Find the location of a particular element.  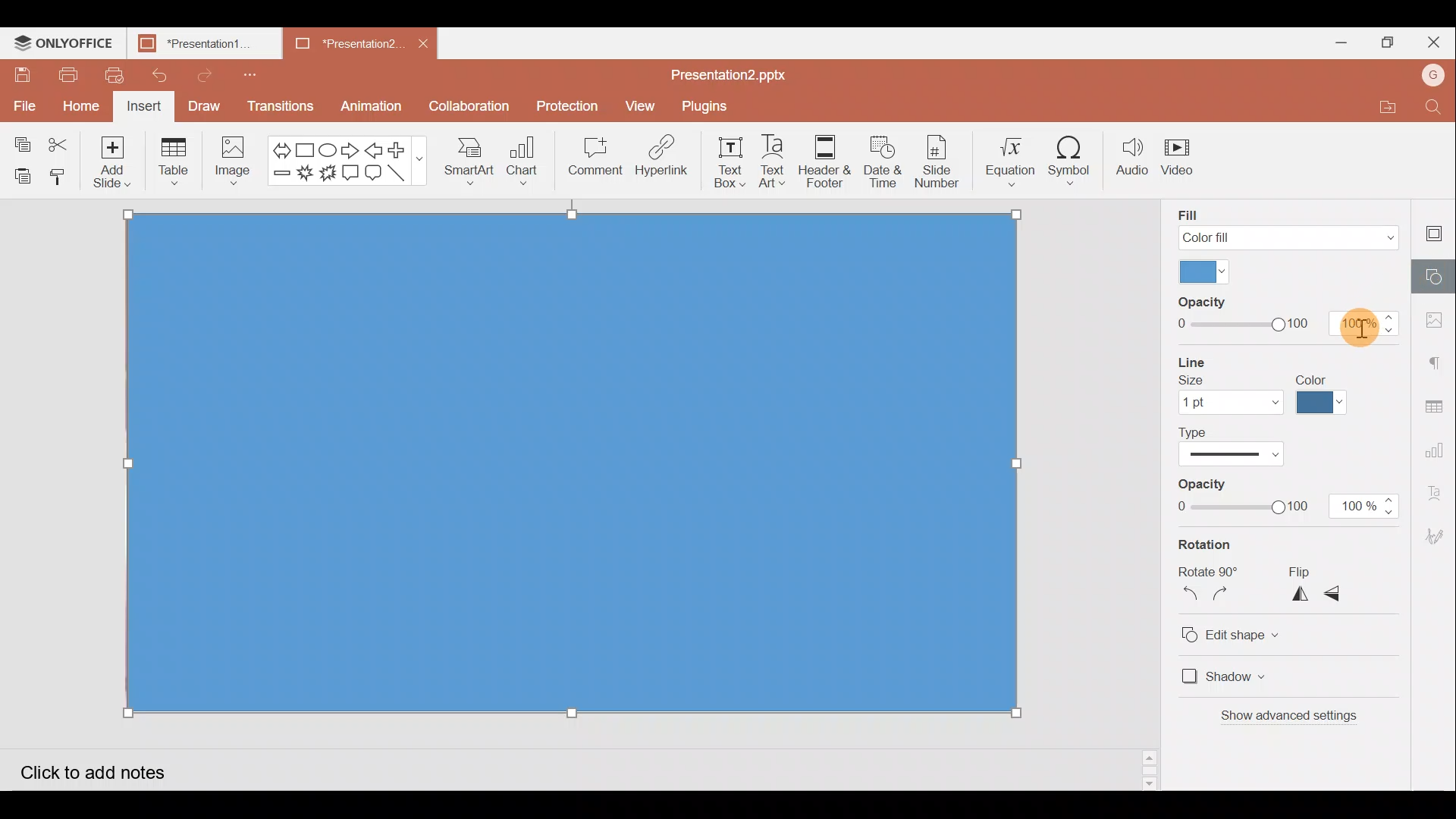

Image settings is located at coordinates (1439, 320).